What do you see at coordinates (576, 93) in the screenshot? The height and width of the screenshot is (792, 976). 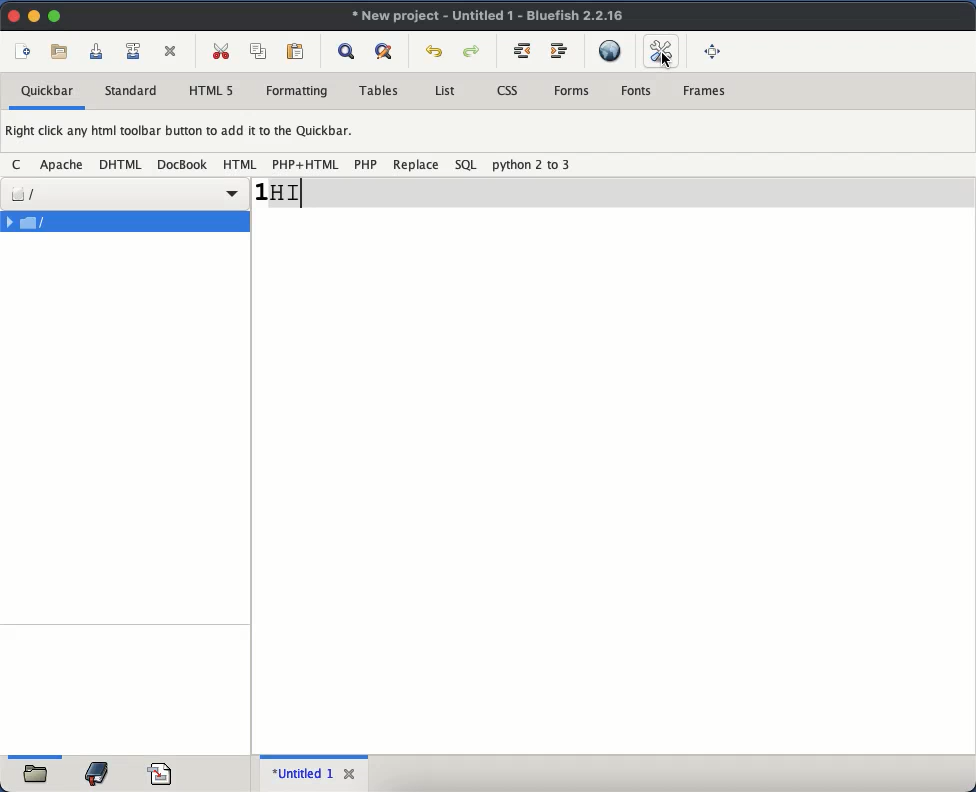 I see `forms` at bounding box center [576, 93].